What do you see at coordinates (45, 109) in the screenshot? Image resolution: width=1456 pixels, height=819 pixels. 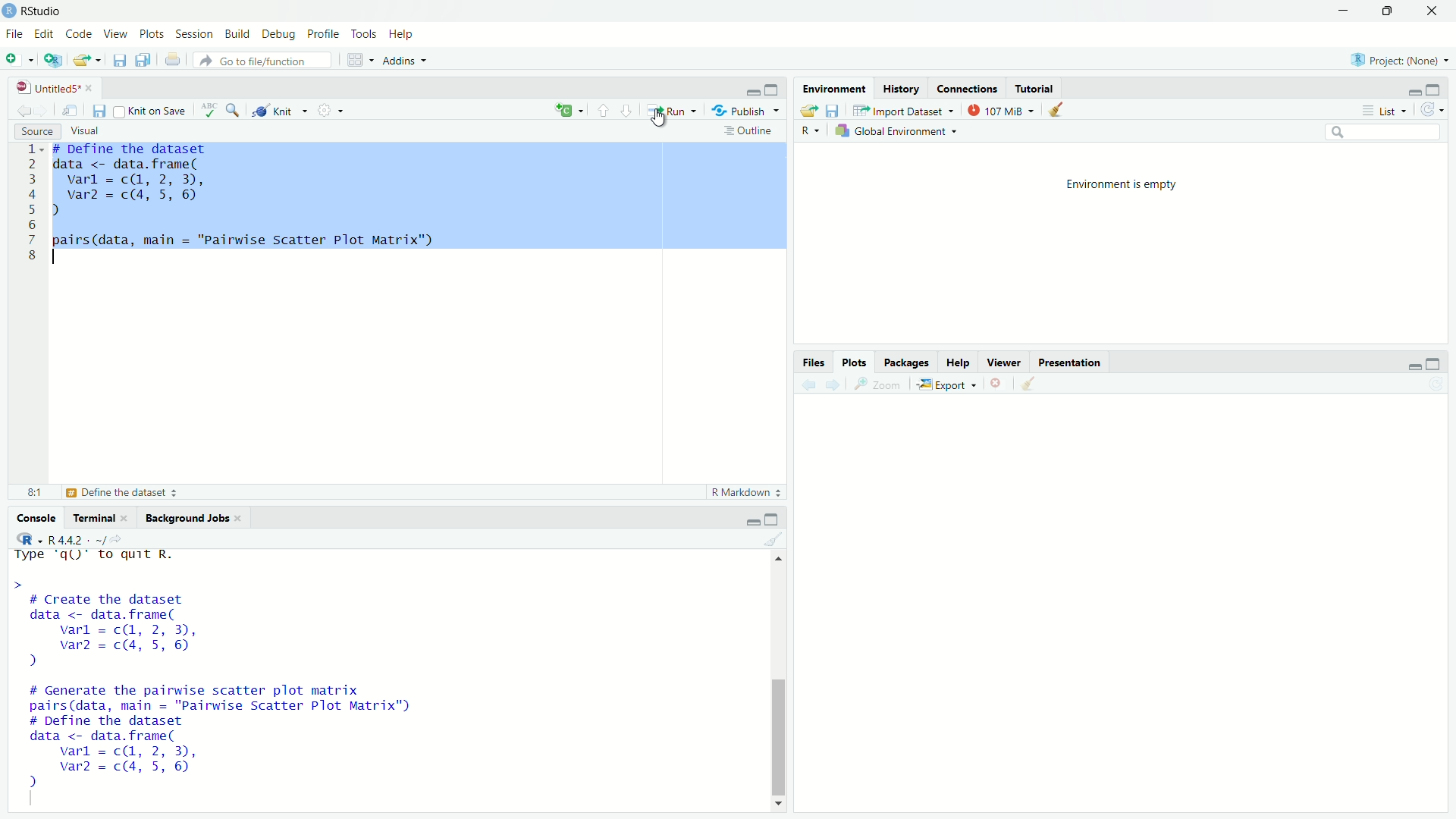 I see `Go forward to the next source location (Ctrl + F10)` at bounding box center [45, 109].